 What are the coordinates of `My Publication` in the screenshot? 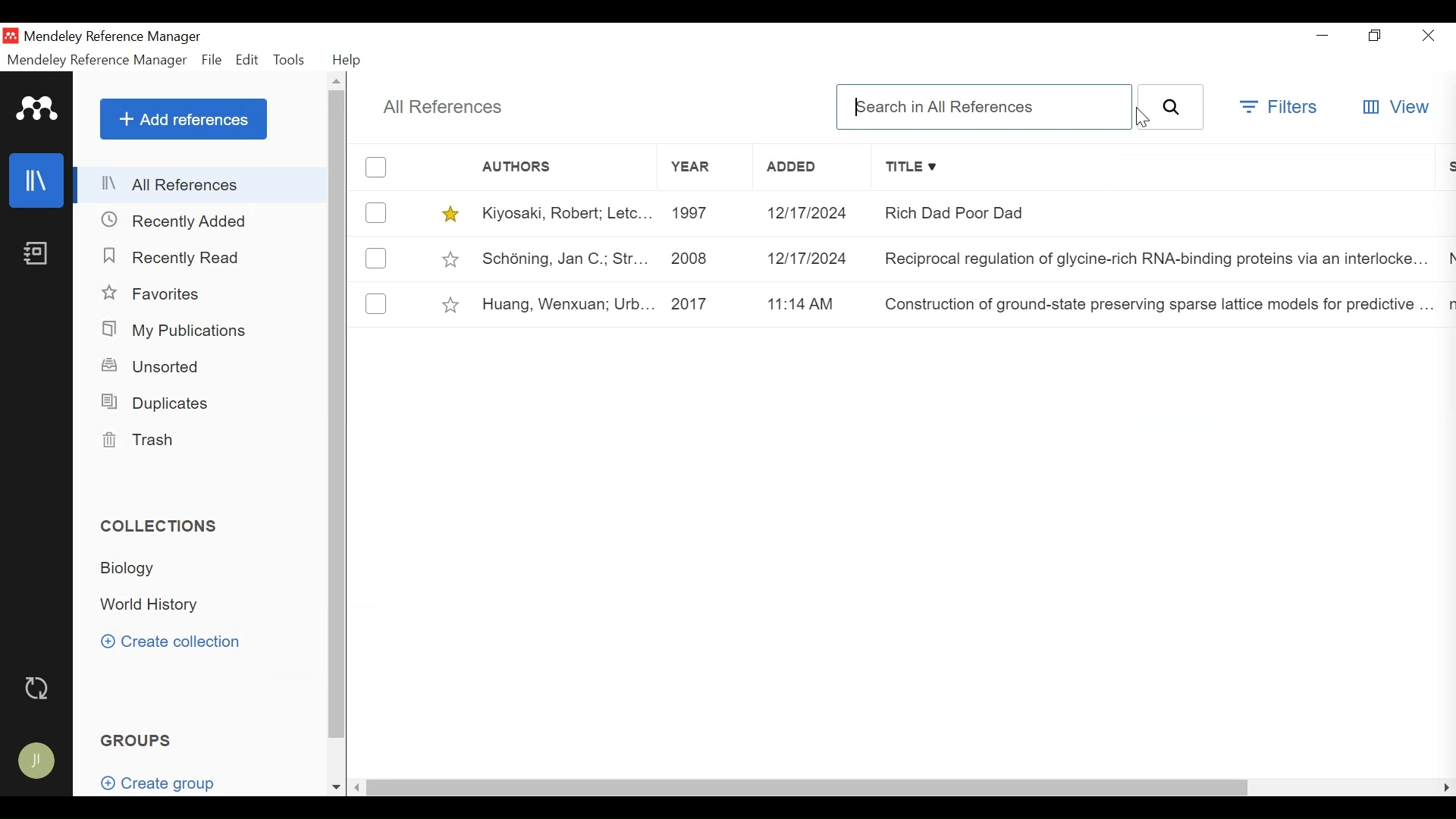 It's located at (178, 330).